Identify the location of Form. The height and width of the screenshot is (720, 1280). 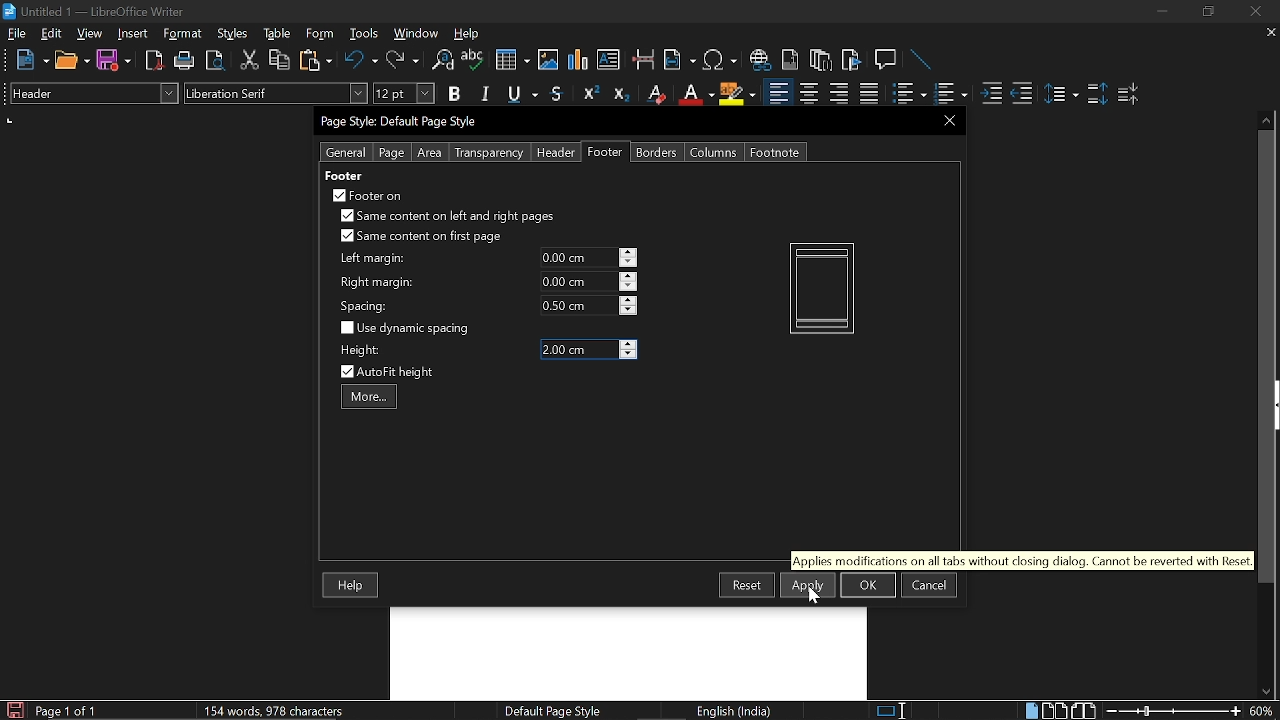
(321, 34).